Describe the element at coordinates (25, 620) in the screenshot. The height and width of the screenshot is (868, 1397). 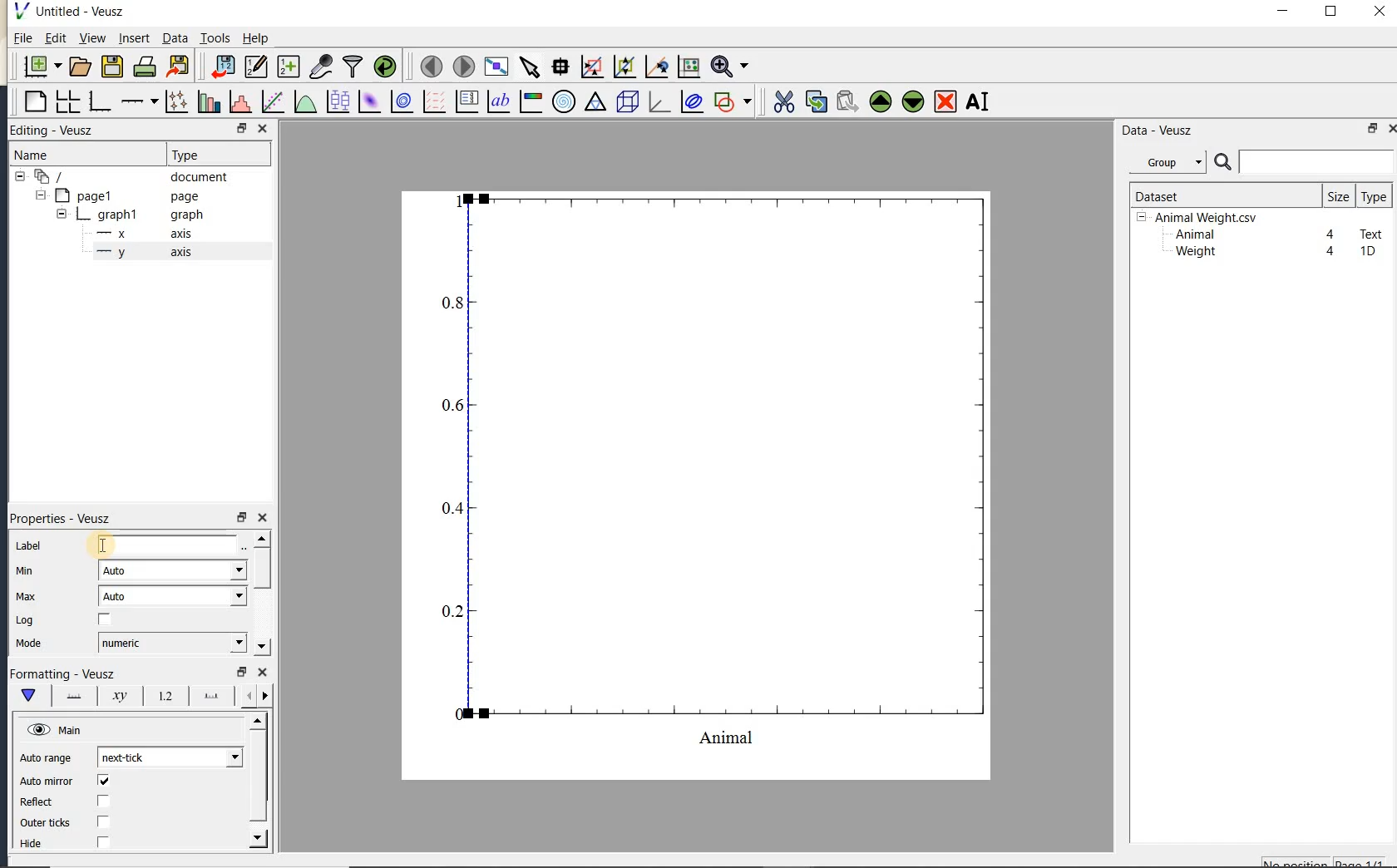
I see `Log` at that location.